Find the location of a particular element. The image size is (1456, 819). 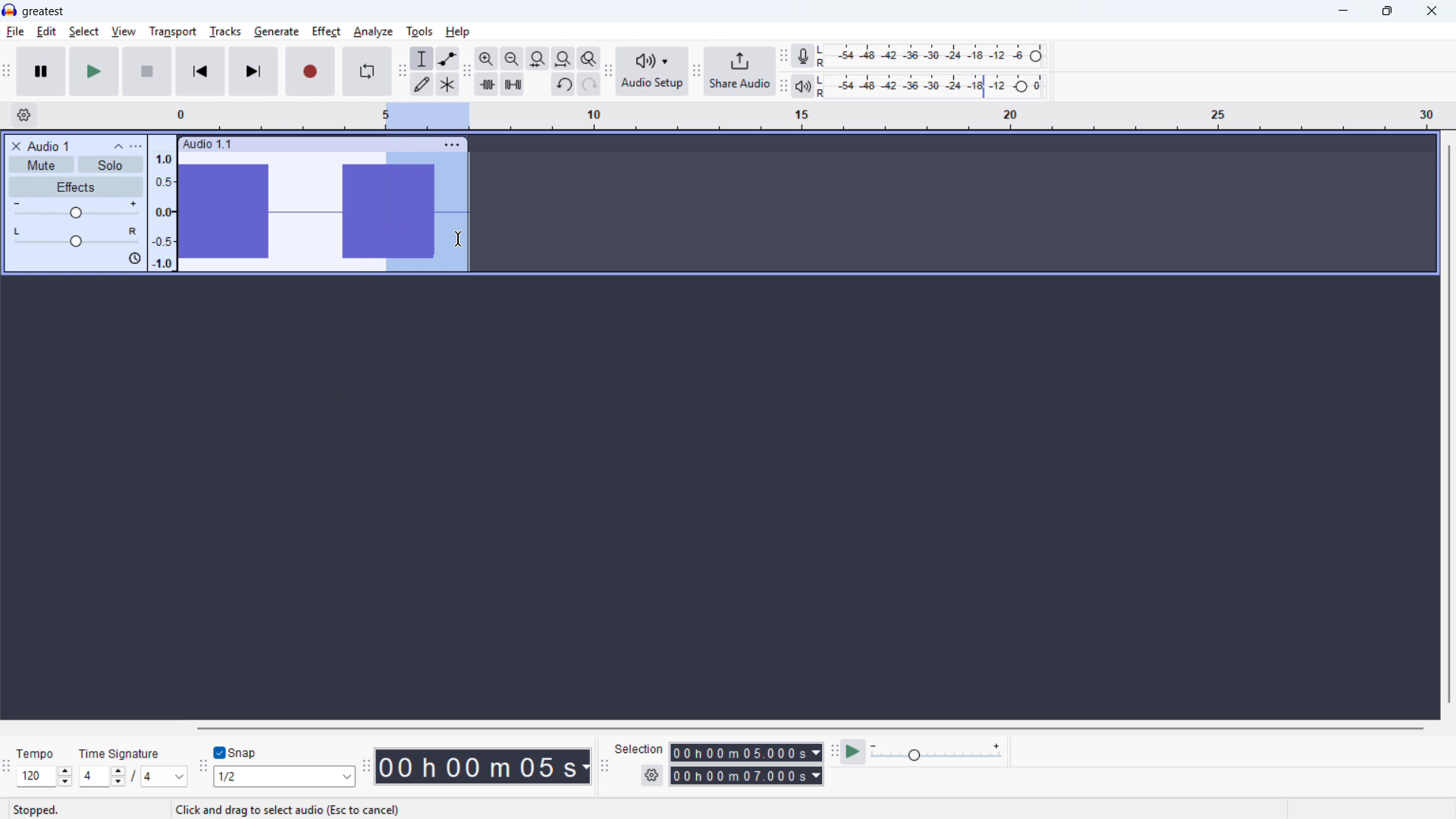

transport toolbar is located at coordinates (7, 73).